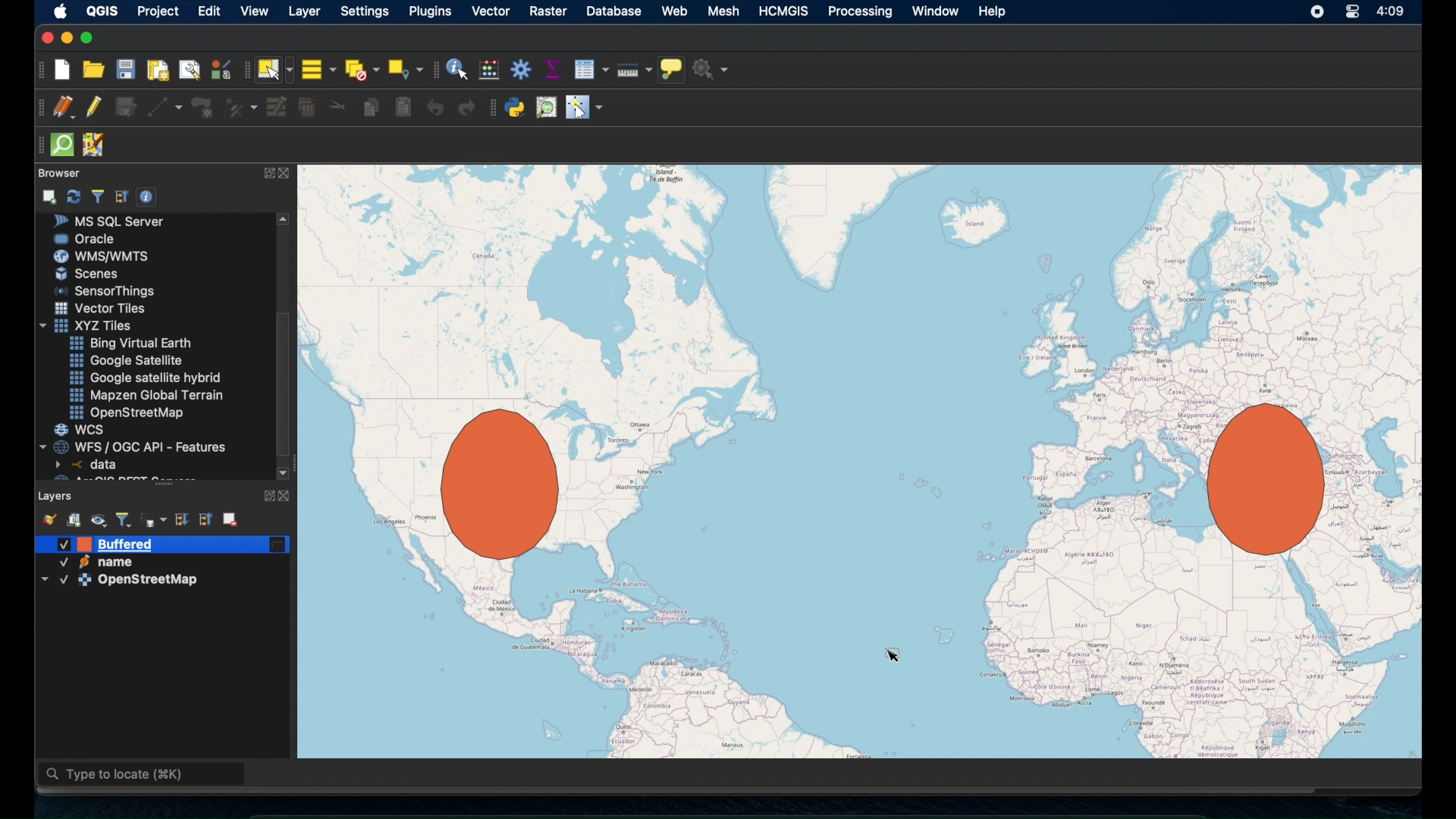 Image resolution: width=1456 pixels, height=819 pixels. What do you see at coordinates (93, 275) in the screenshot?
I see `scenes` at bounding box center [93, 275].